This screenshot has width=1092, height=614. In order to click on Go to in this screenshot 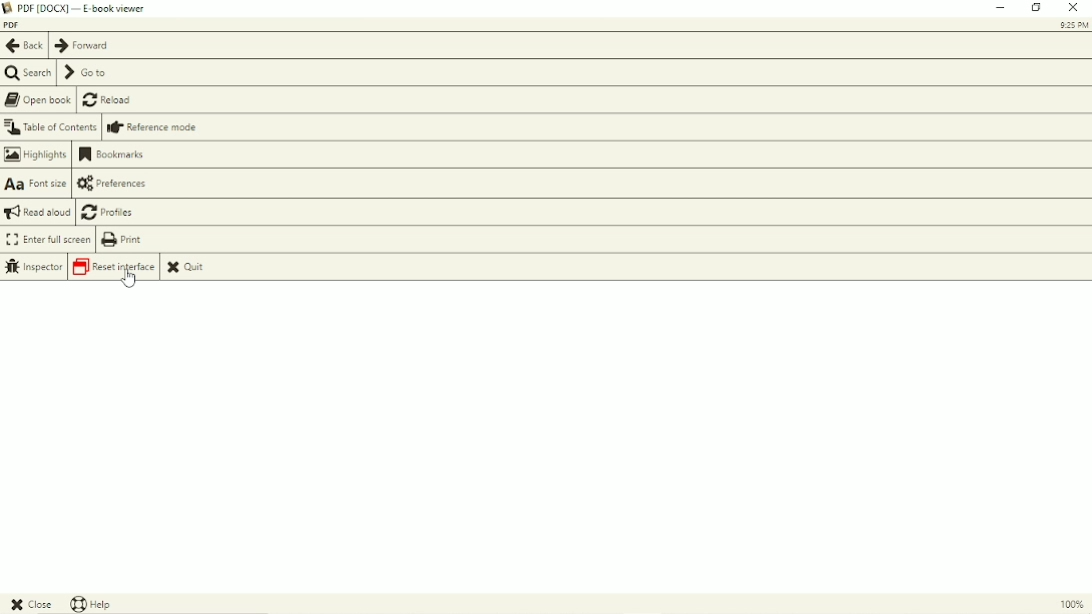, I will do `click(84, 72)`.